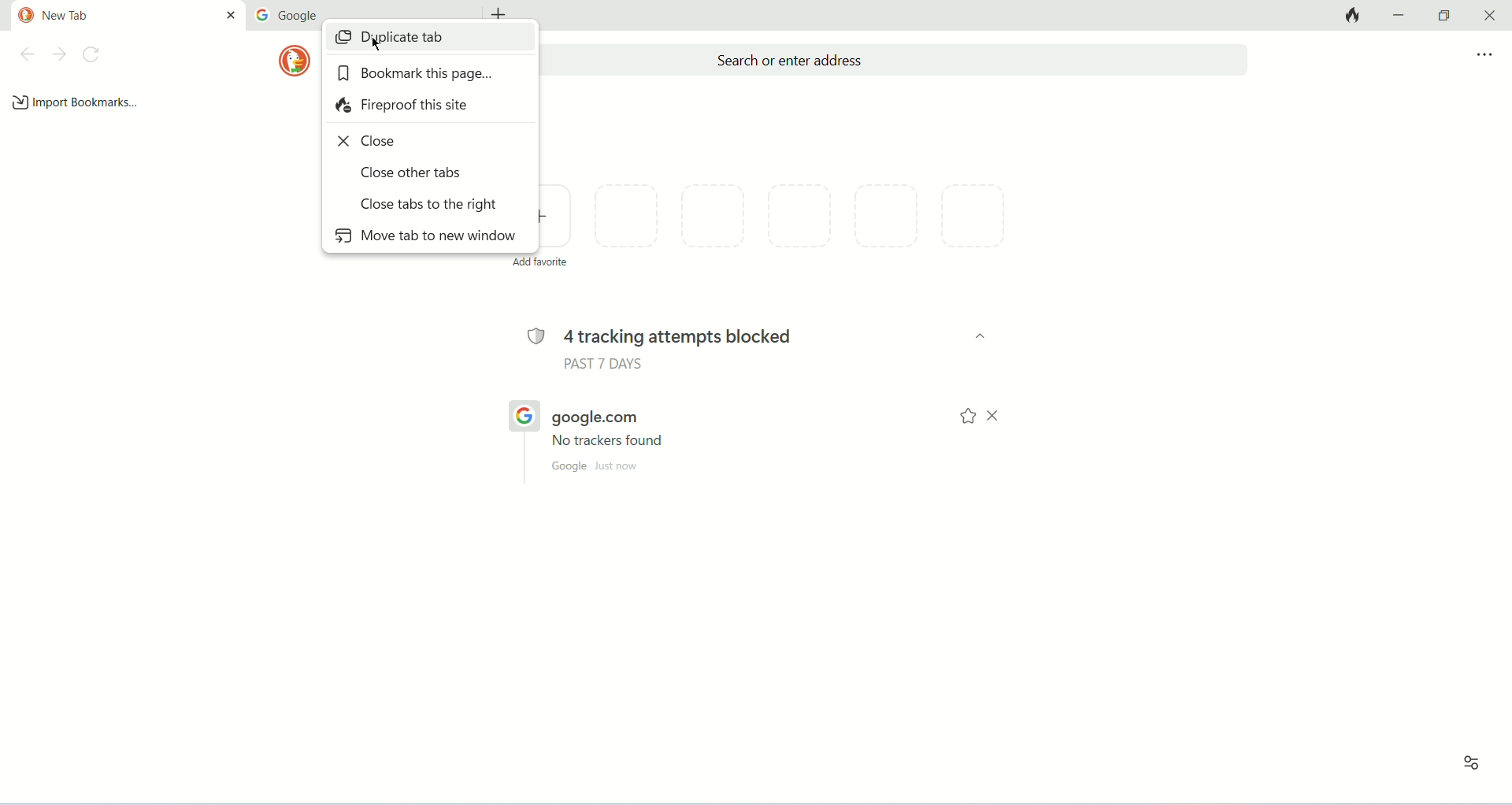  I want to click on no trackers found, so click(609, 443).